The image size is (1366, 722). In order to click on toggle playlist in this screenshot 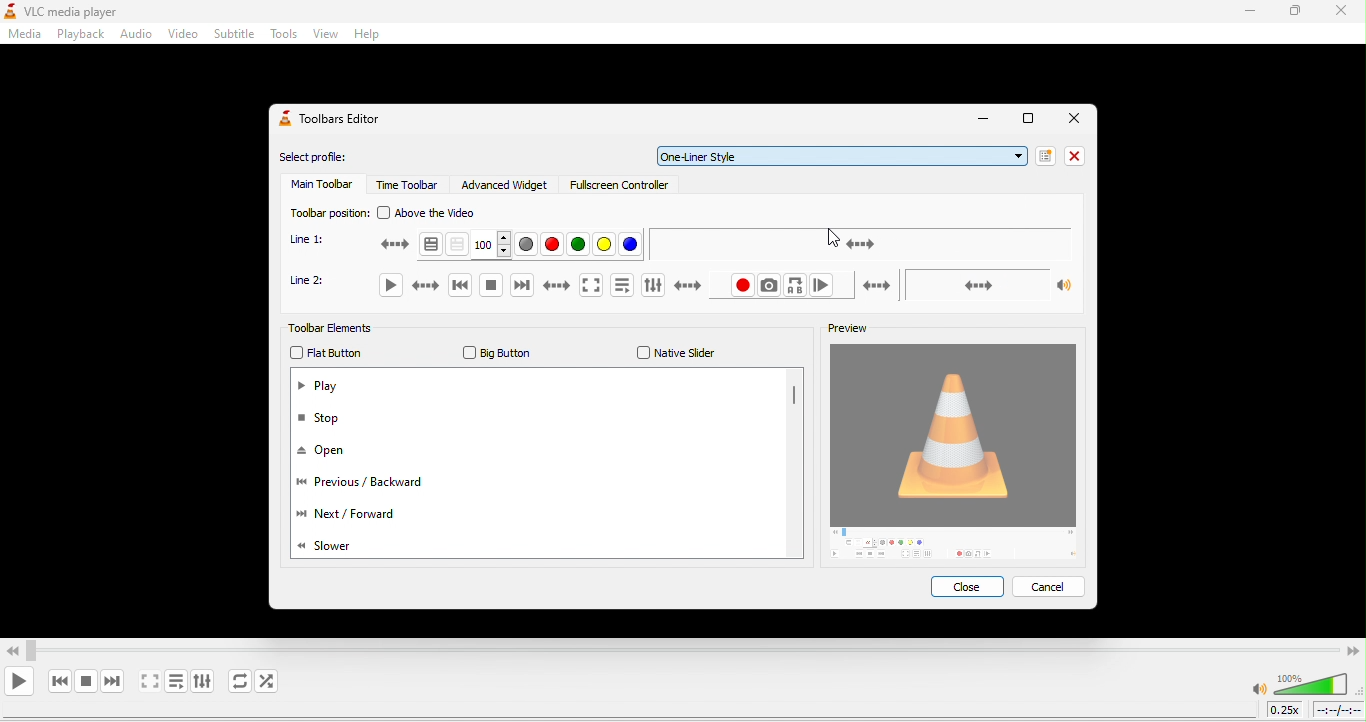, I will do `click(623, 283)`.